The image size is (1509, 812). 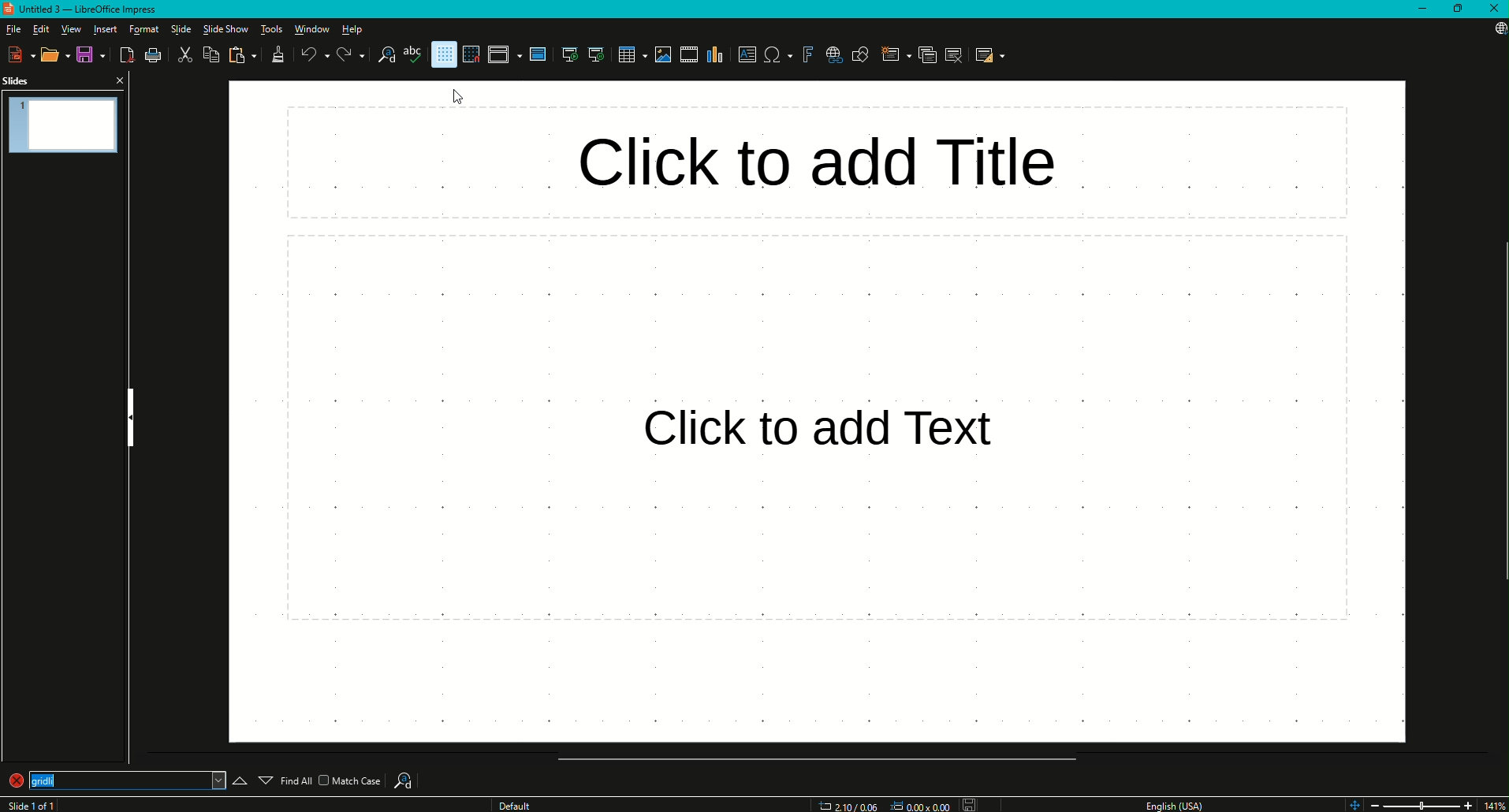 I want to click on Display grid, so click(x=443, y=54).